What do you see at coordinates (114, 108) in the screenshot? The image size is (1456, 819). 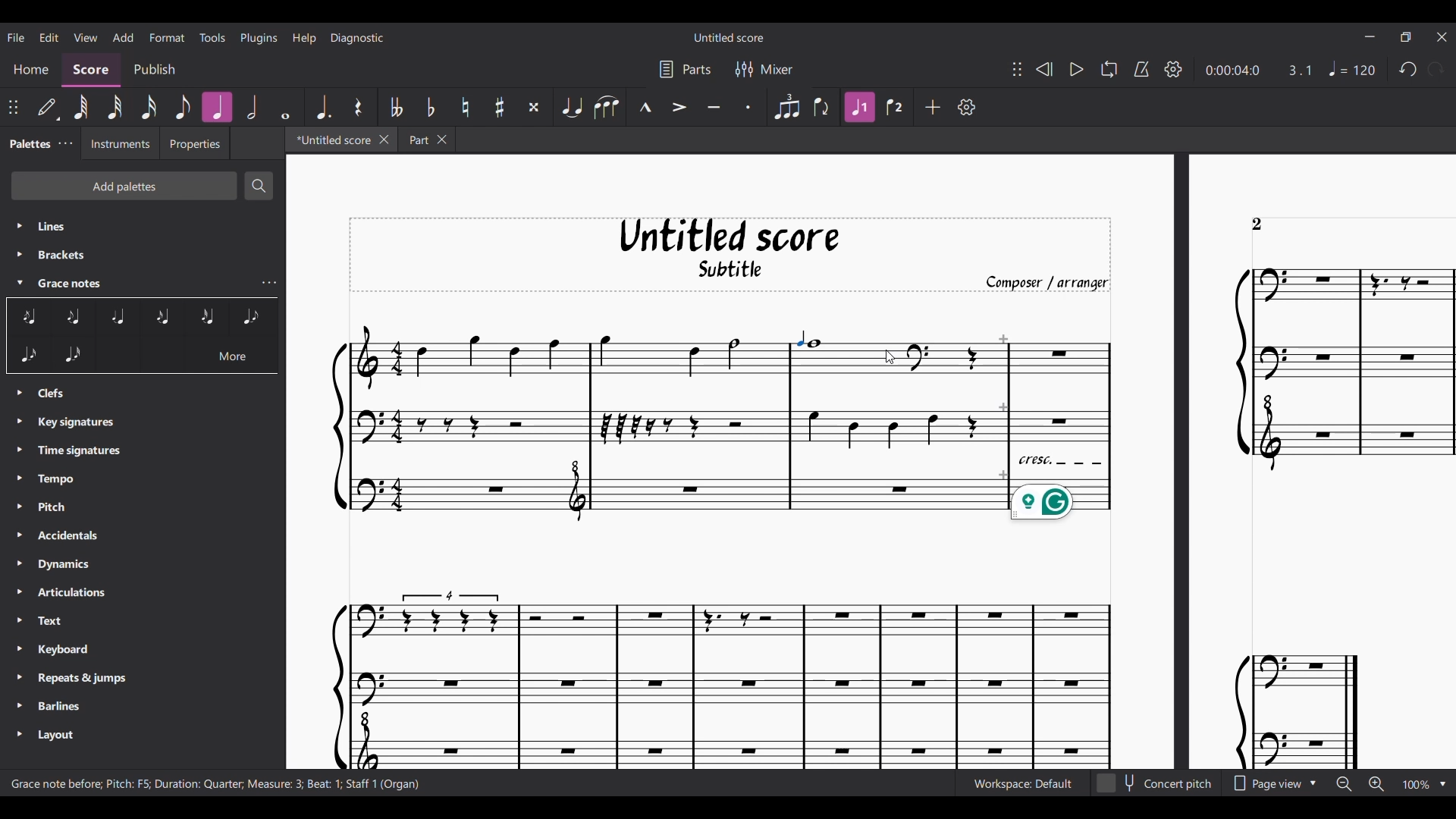 I see `32nd note` at bounding box center [114, 108].